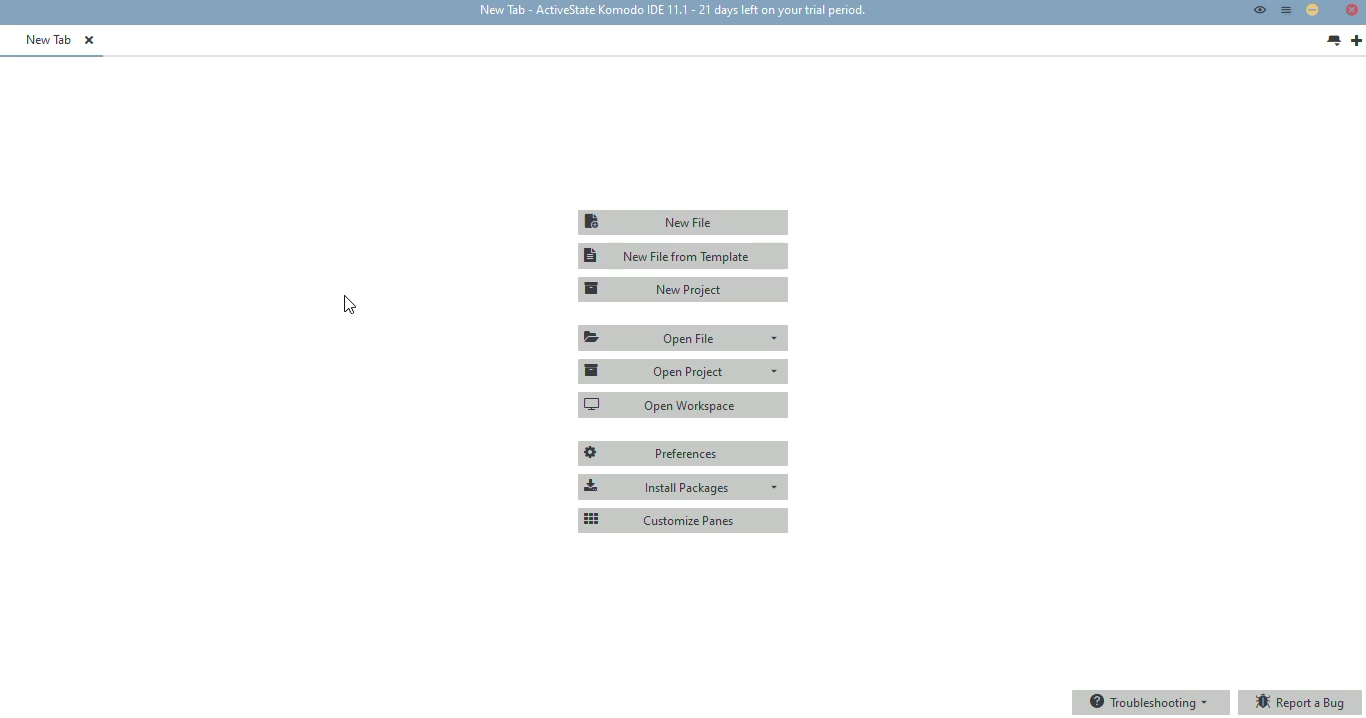  I want to click on open project, so click(682, 372).